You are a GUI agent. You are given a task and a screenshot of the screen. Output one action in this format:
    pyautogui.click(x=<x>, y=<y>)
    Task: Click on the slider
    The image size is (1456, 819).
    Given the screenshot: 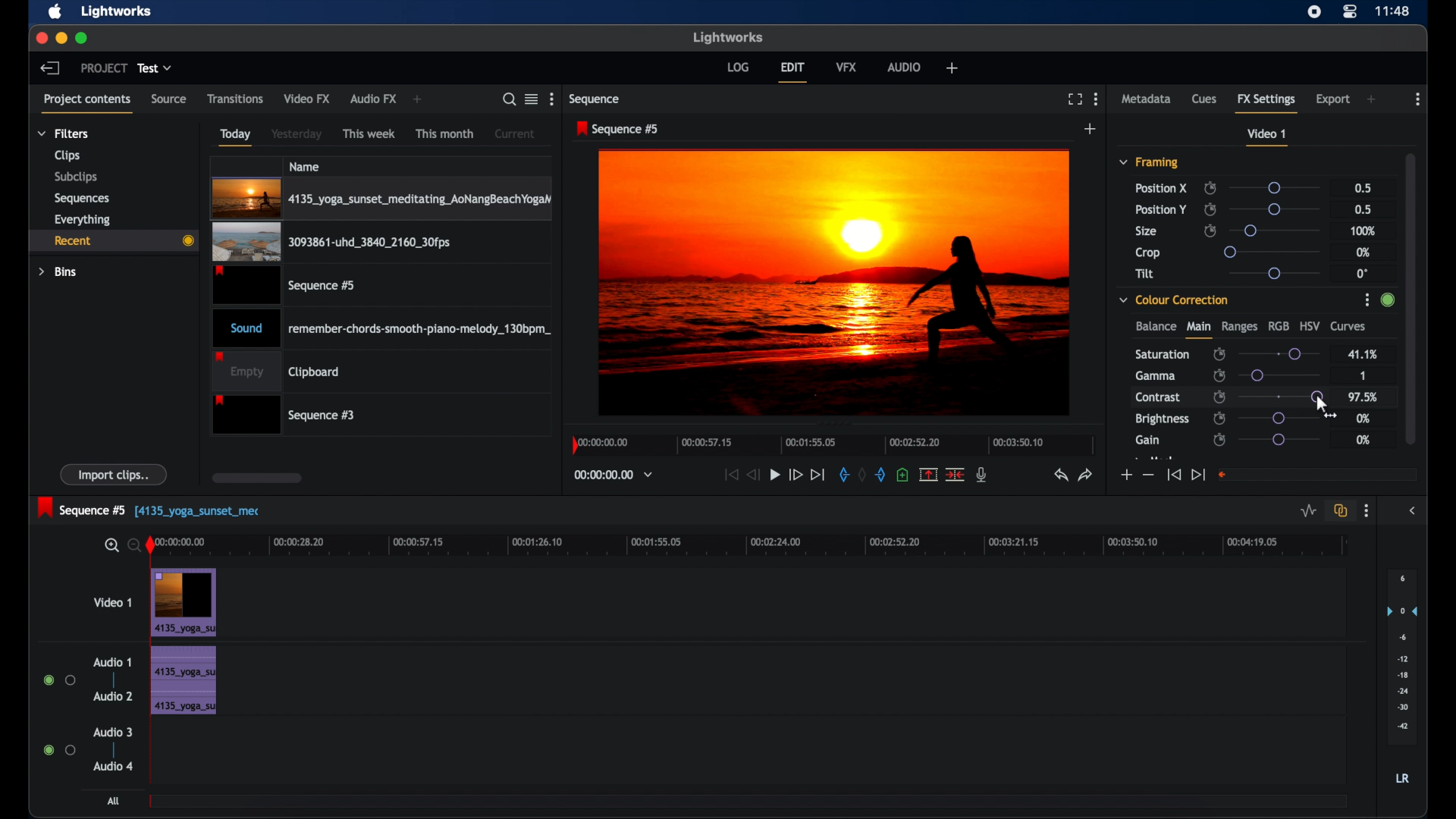 What is the action you would take?
    pyautogui.click(x=1278, y=209)
    